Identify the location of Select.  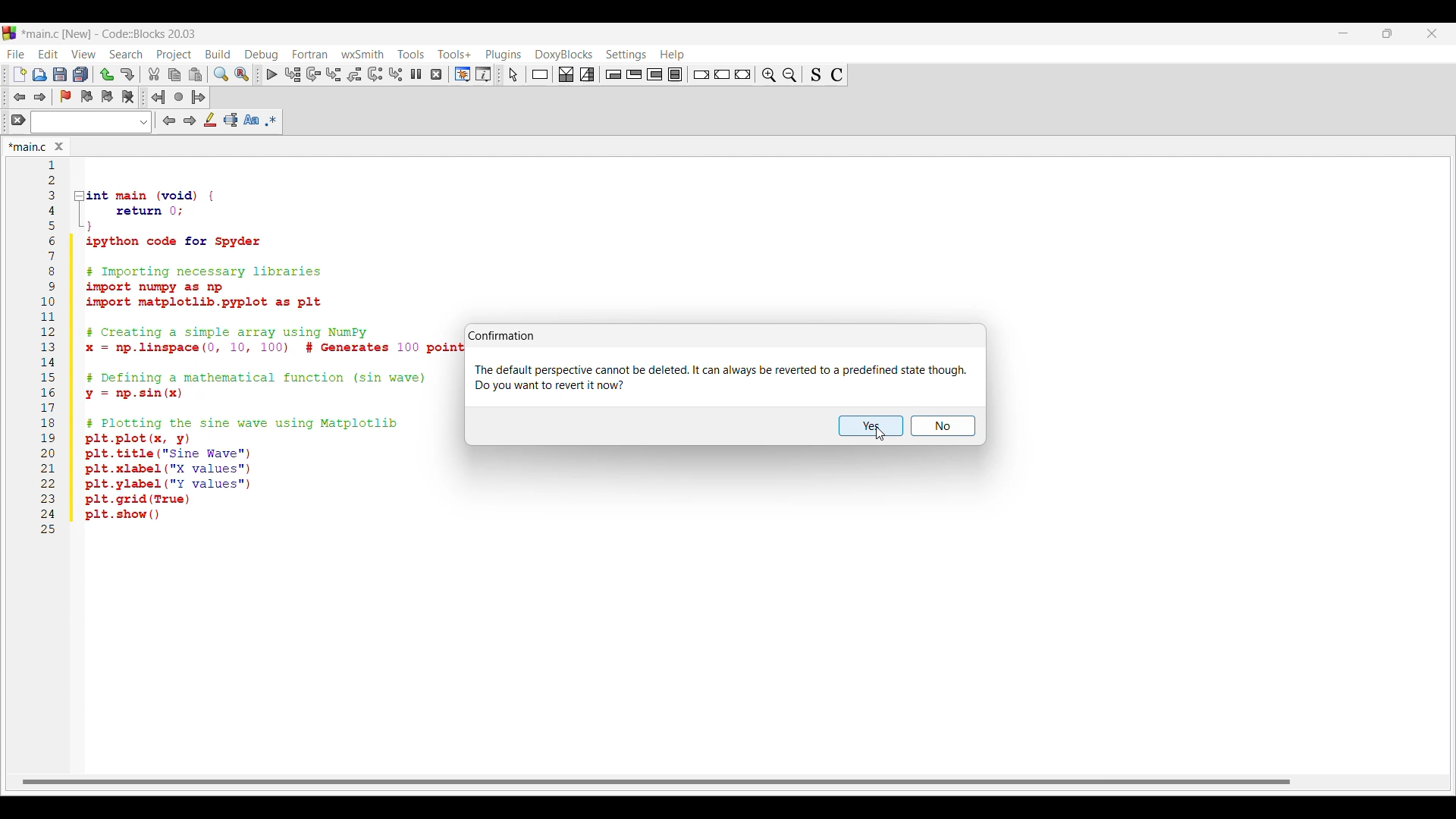
(513, 74).